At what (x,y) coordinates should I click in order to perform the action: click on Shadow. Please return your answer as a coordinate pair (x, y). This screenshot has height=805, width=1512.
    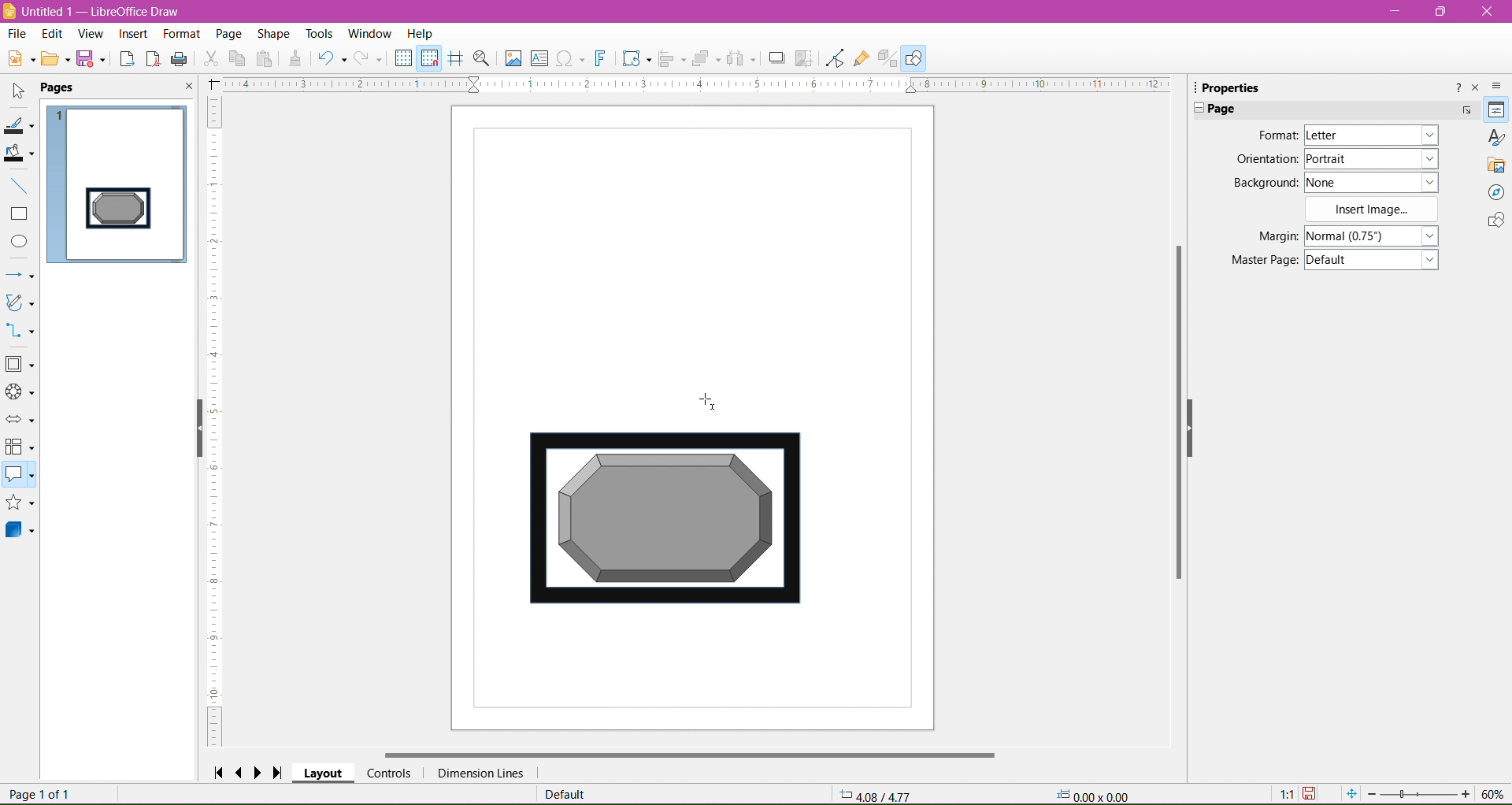
    Looking at the image, I should click on (774, 58).